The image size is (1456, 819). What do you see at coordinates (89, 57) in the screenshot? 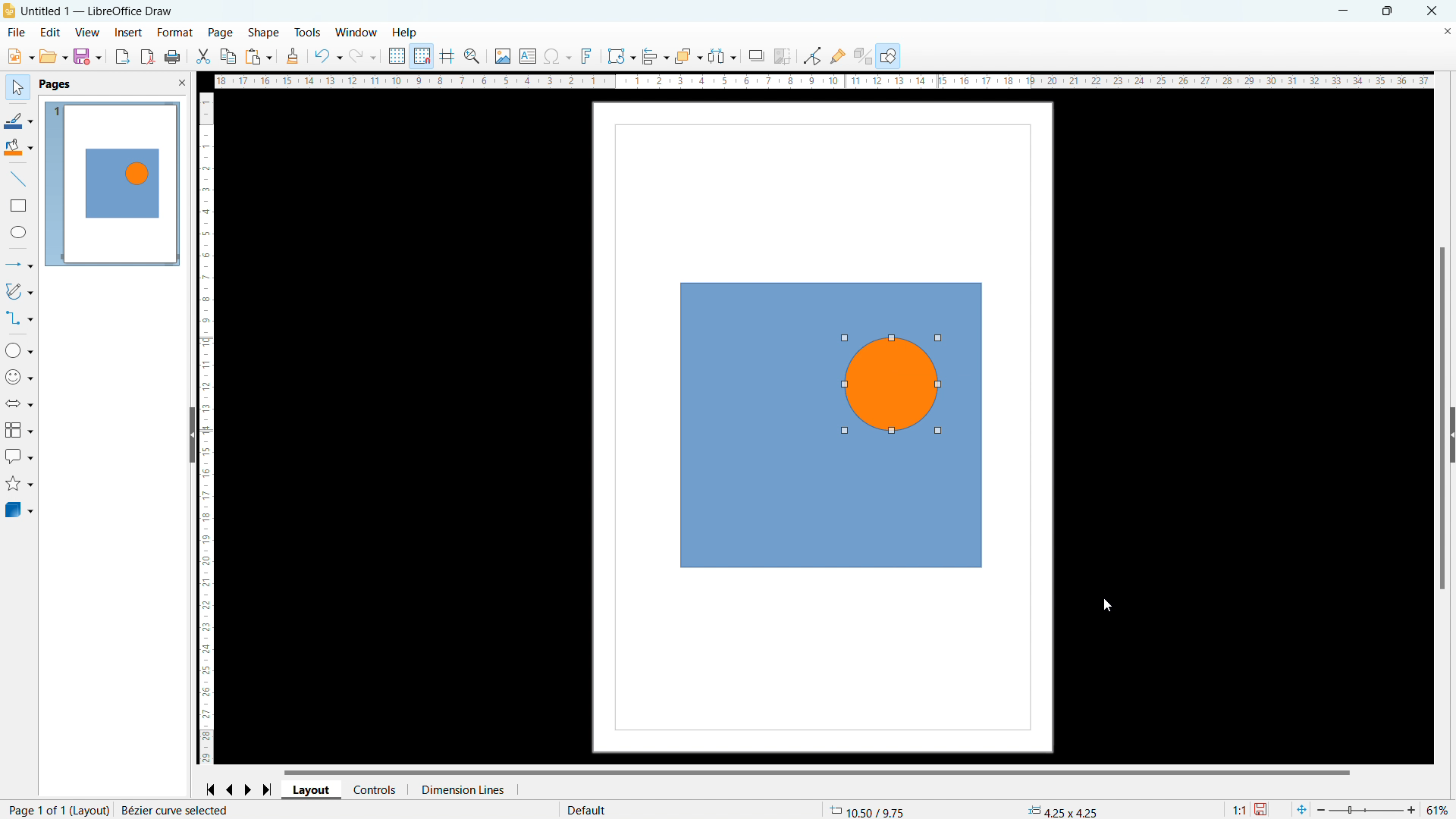
I see `save` at bounding box center [89, 57].